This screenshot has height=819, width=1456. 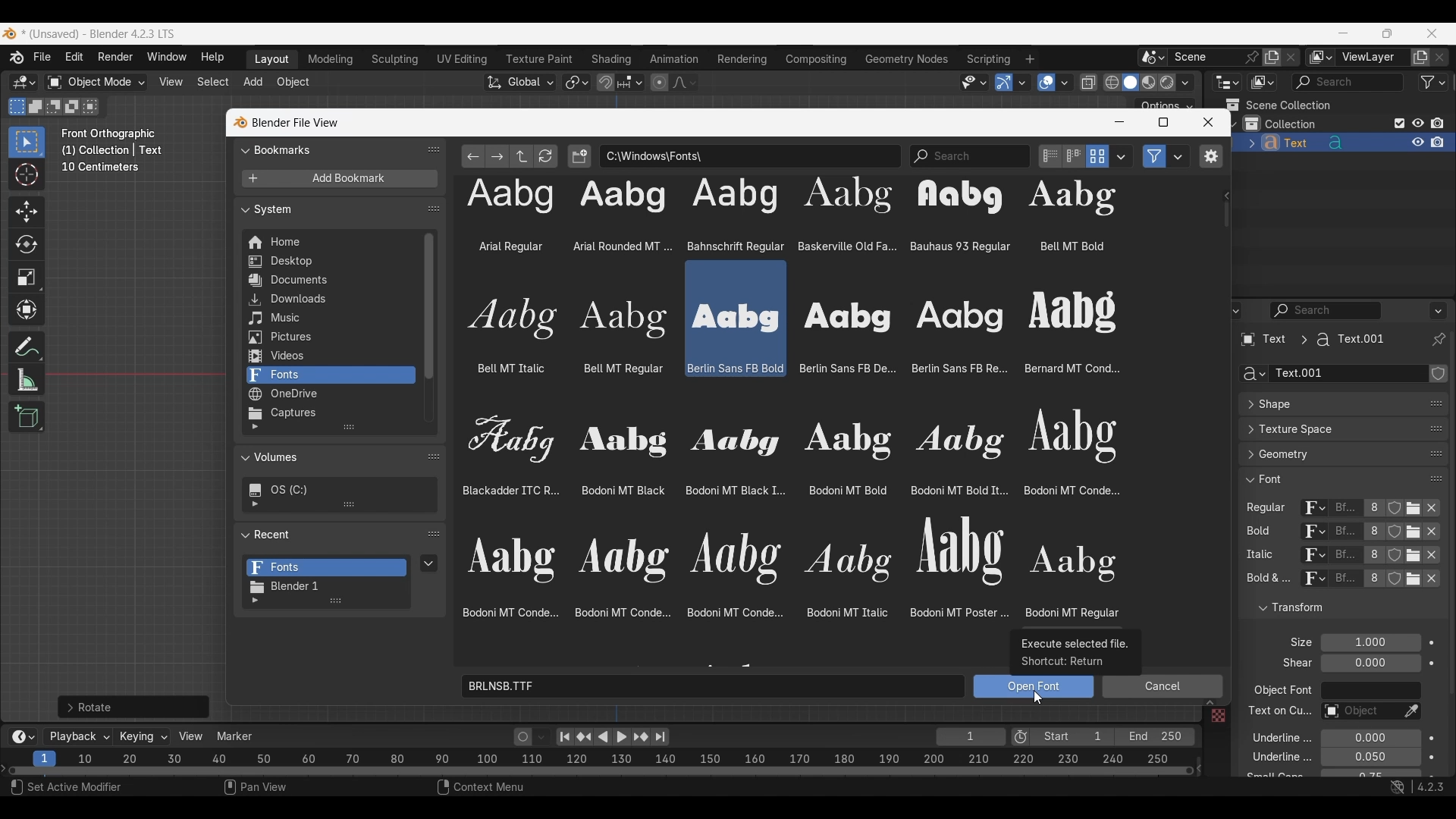 What do you see at coordinates (1439, 310) in the screenshot?
I see `Options for the properties editor` at bounding box center [1439, 310].